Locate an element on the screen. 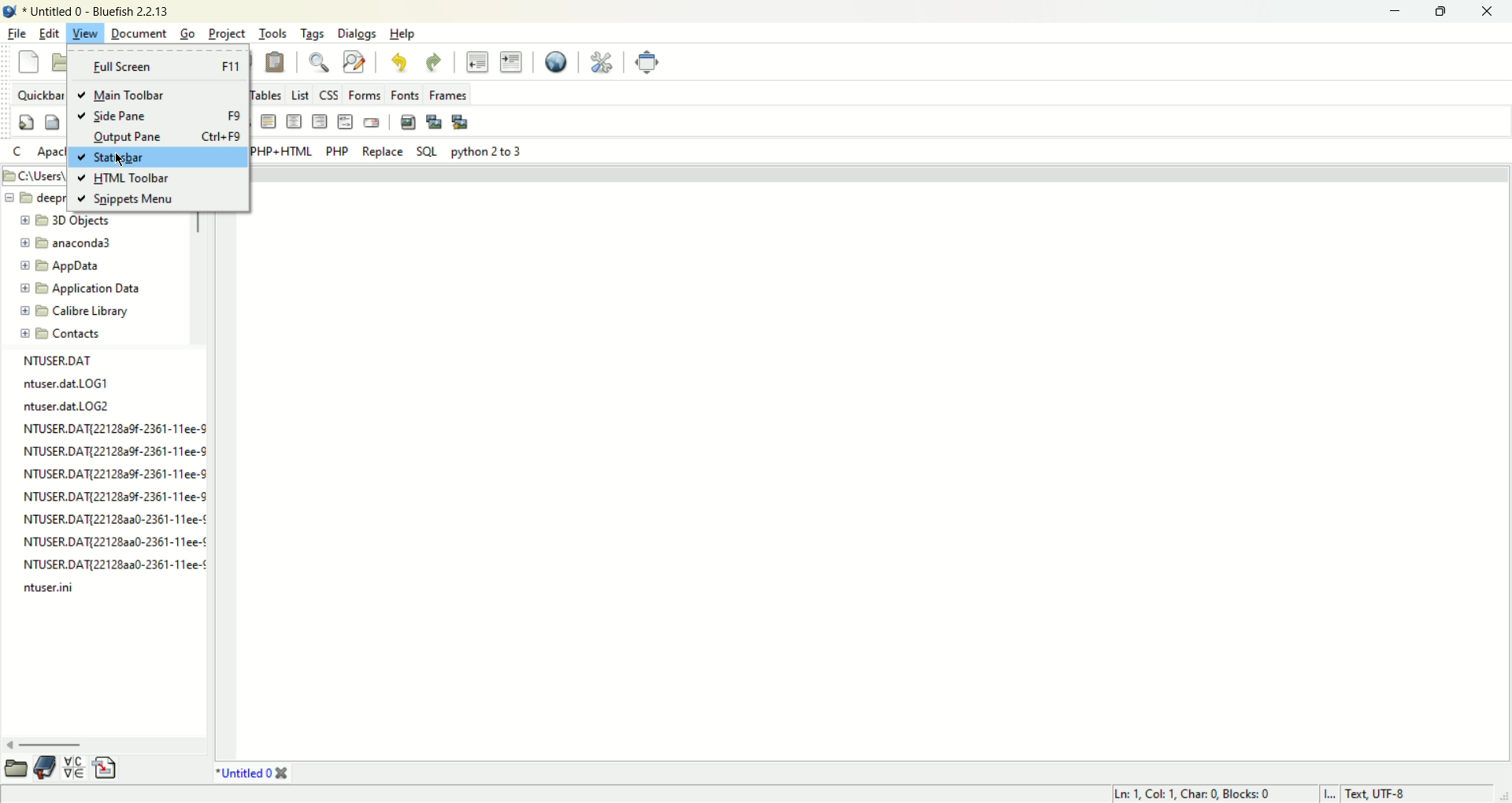 Image resolution: width=1512 pixels, height=803 pixels. Replace is located at coordinates (382, 153).